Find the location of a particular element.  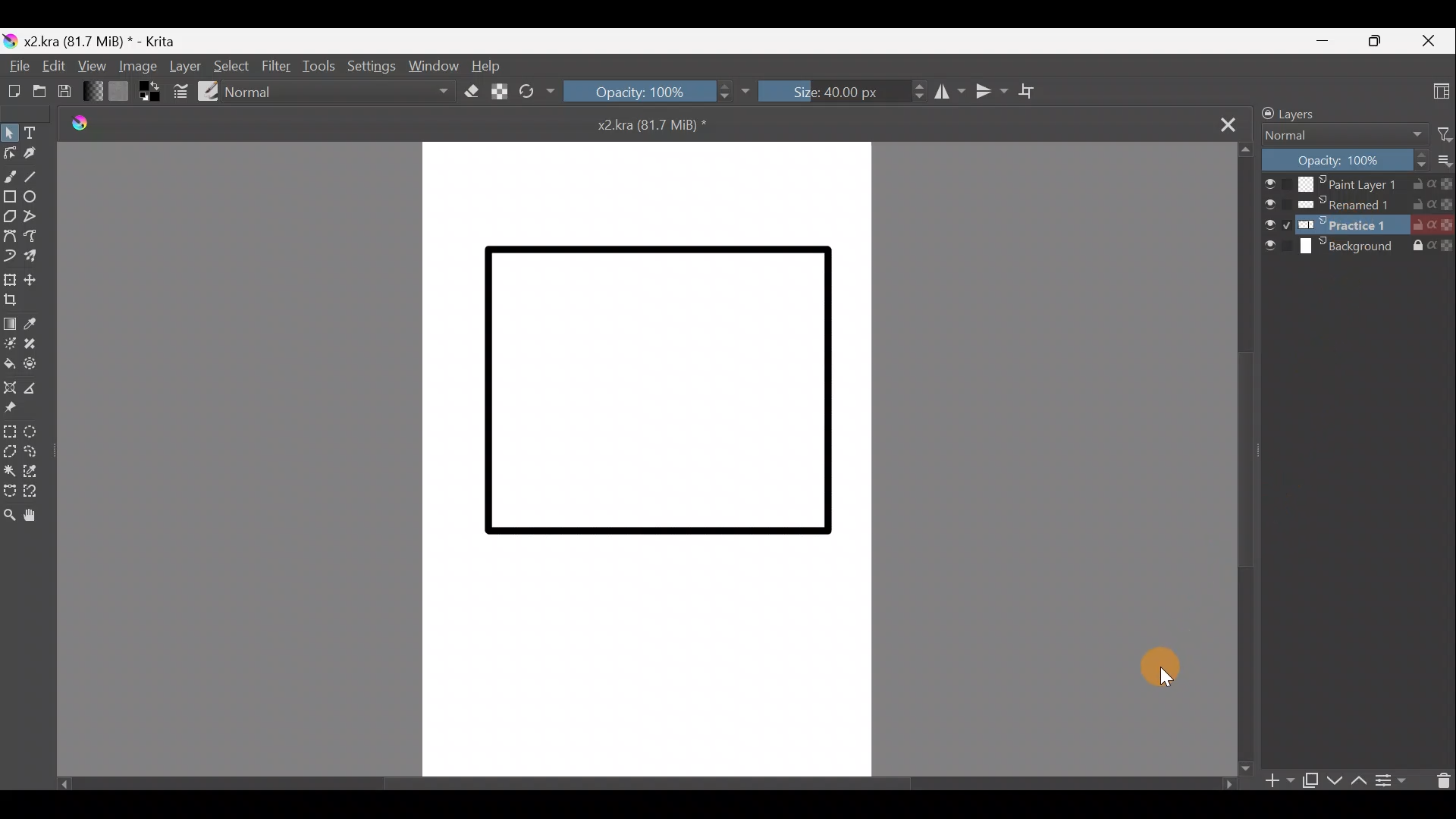

Window is located at coordinates (434, 67).